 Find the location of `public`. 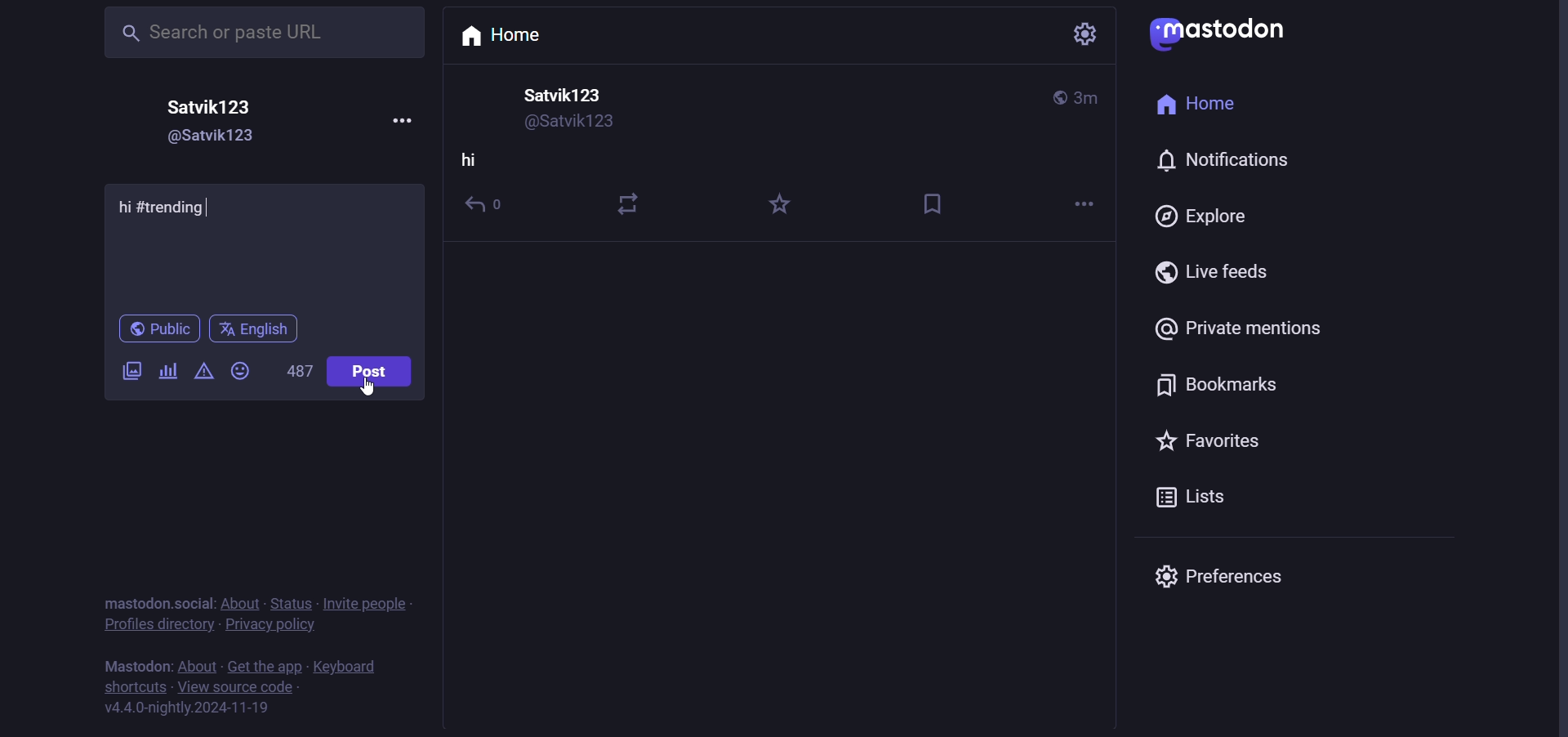

public is located at coordinates (1058, 97).